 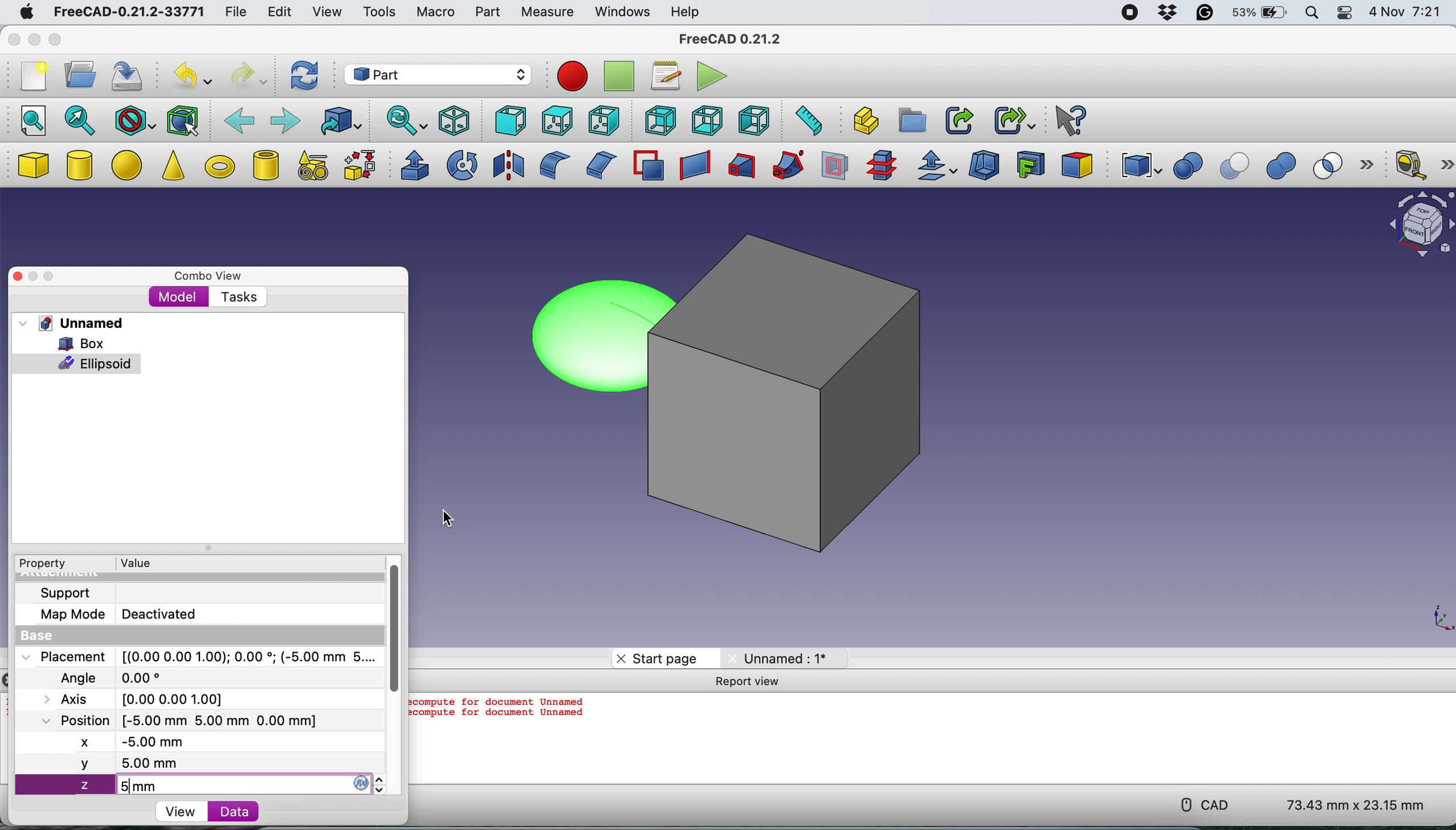 I want to click on right, so click(x=602, y=122).